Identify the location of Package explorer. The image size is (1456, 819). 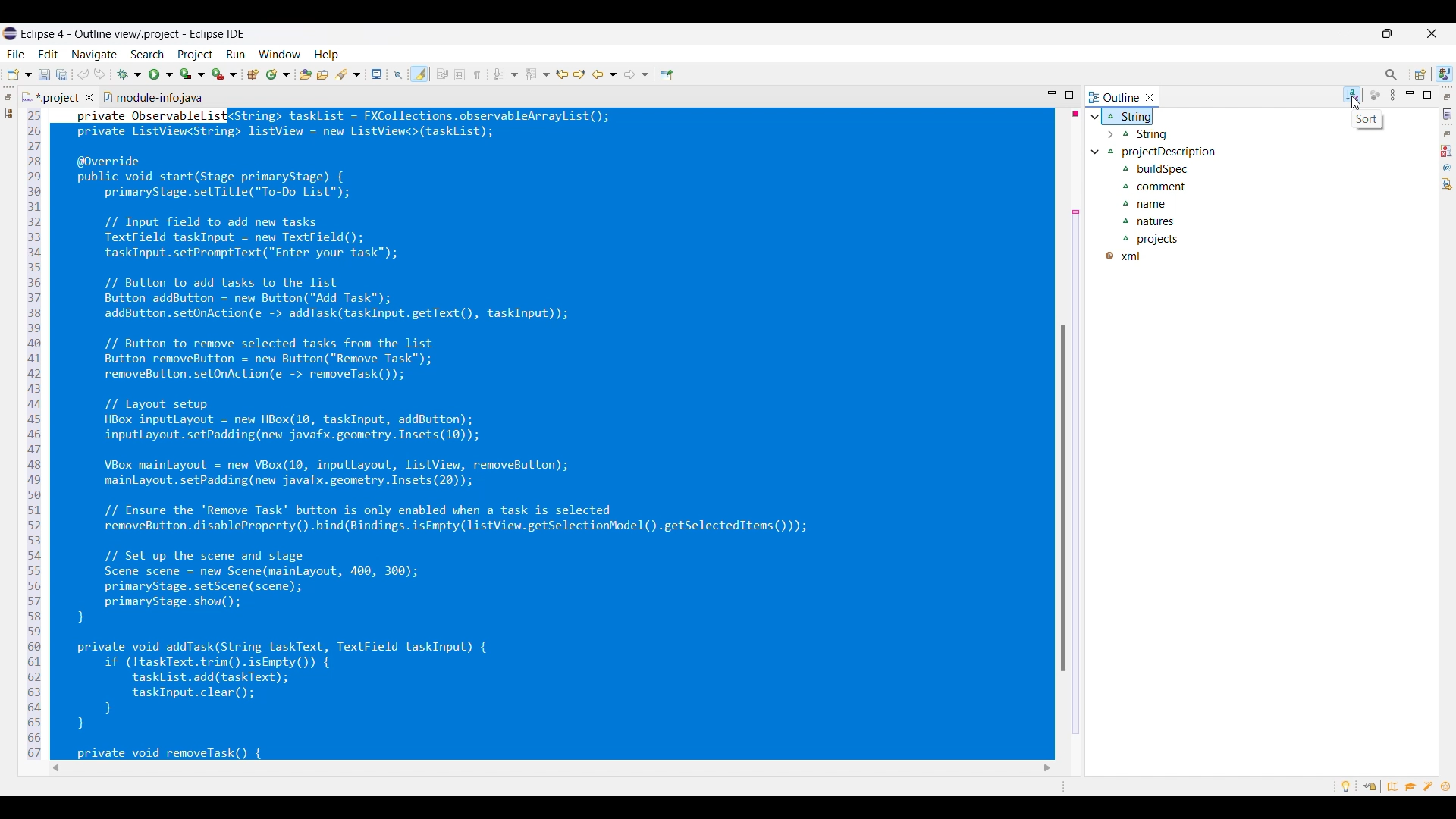
(8, 113).